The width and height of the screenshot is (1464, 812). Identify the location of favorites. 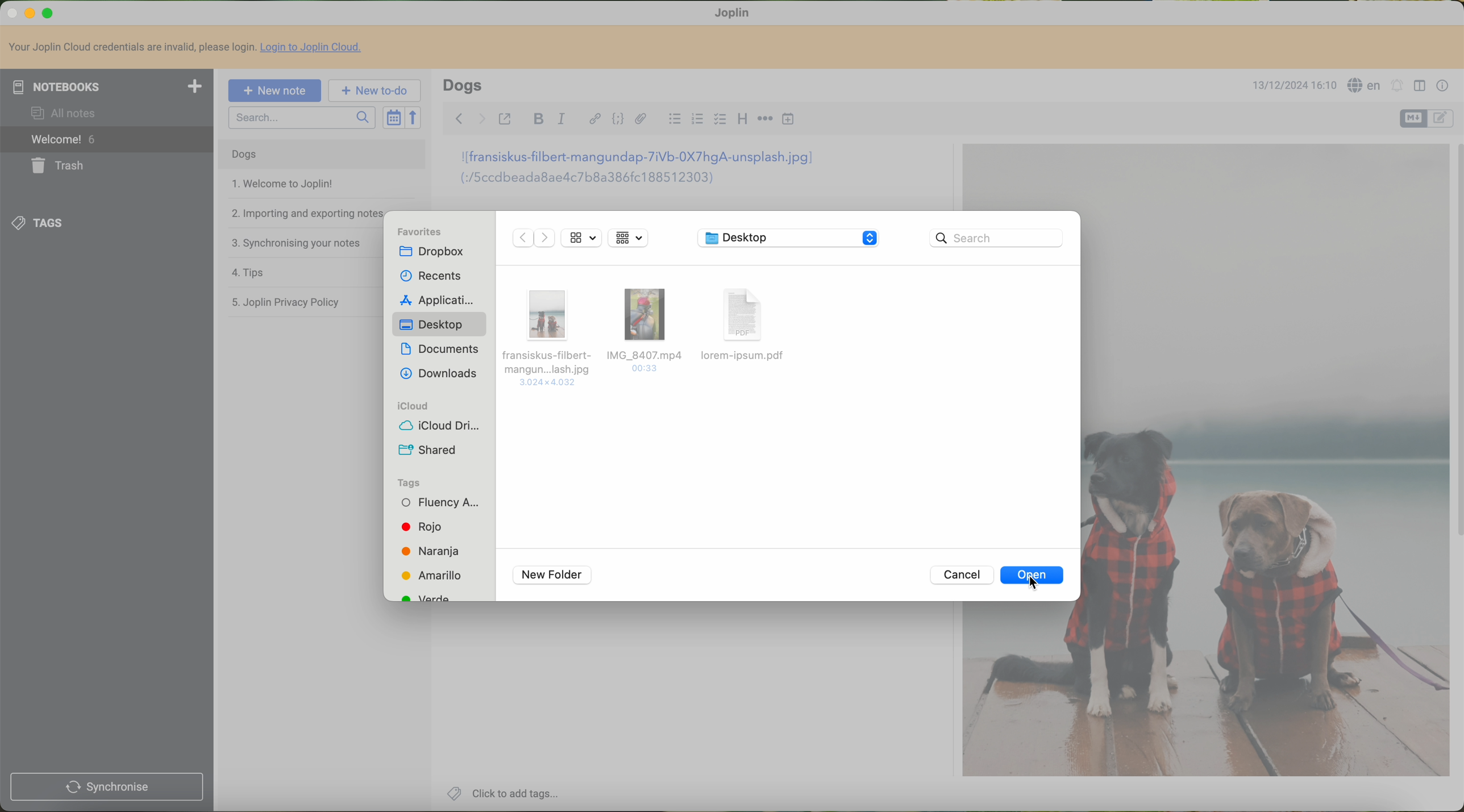
(425, 232).